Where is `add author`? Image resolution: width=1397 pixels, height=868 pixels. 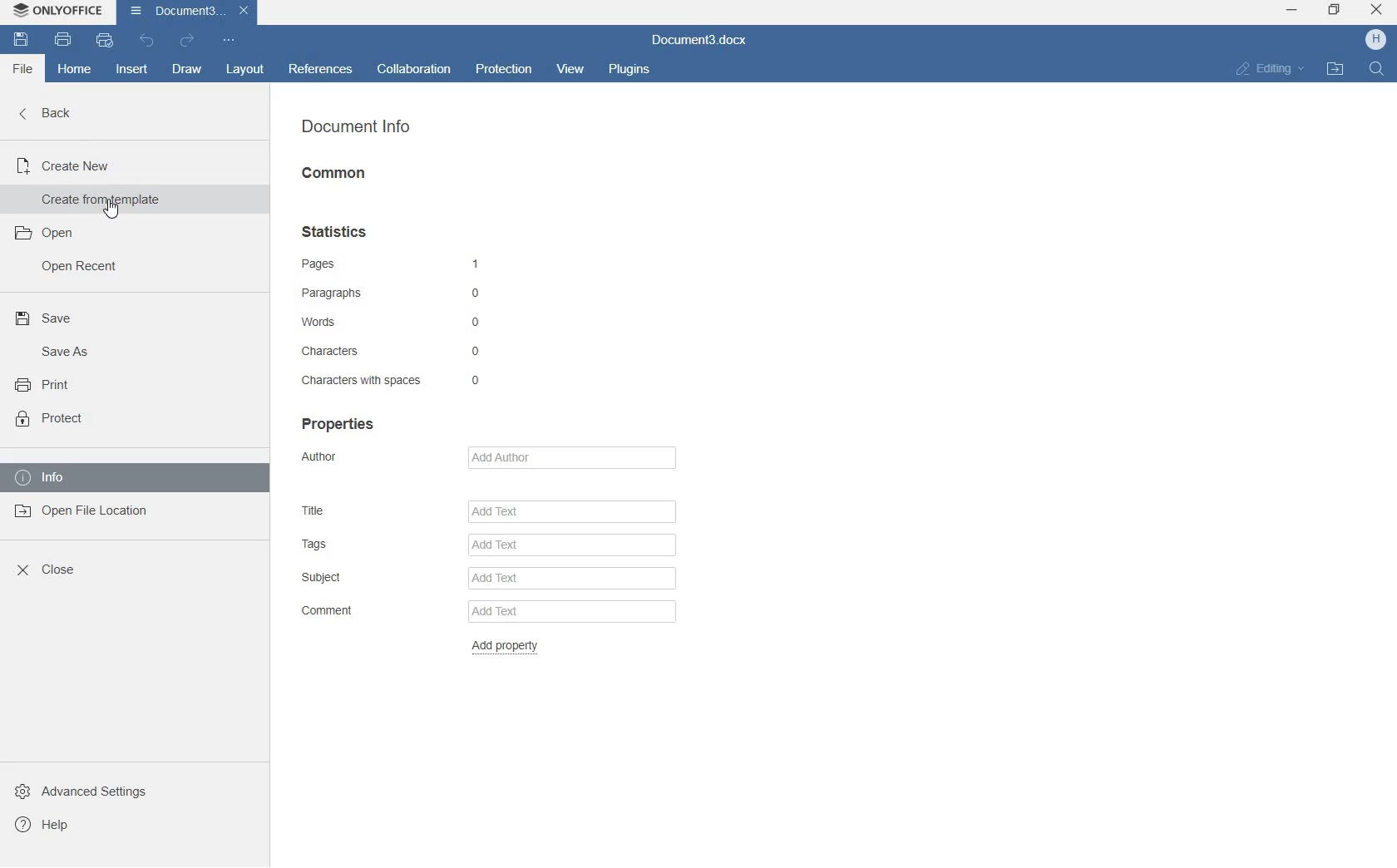
add author is located at coordinates (570, 456).